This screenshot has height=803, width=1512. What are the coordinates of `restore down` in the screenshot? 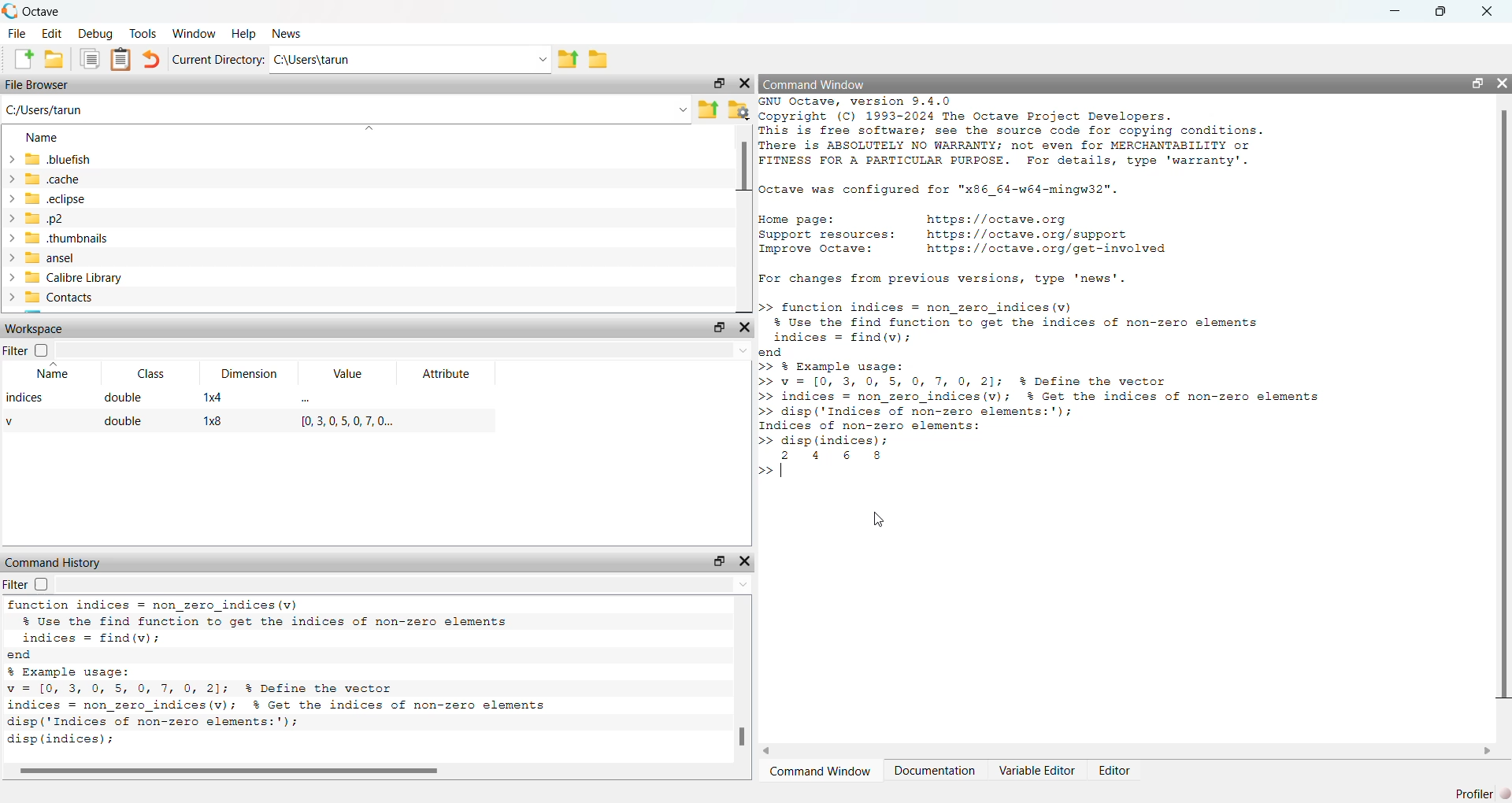 It's located at (717, 83).